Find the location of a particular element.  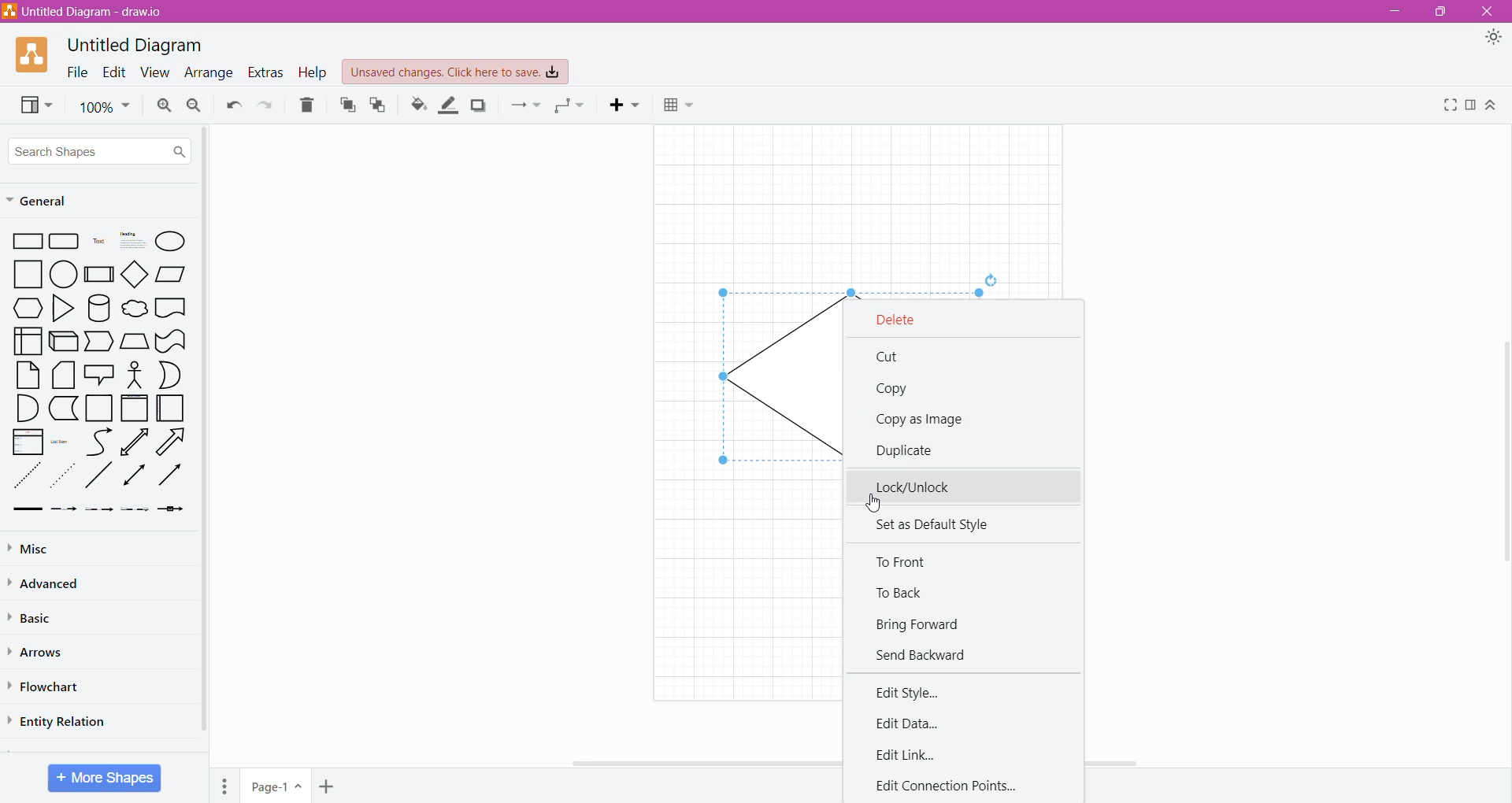

Flowchart is located at coordinates (50, 687).